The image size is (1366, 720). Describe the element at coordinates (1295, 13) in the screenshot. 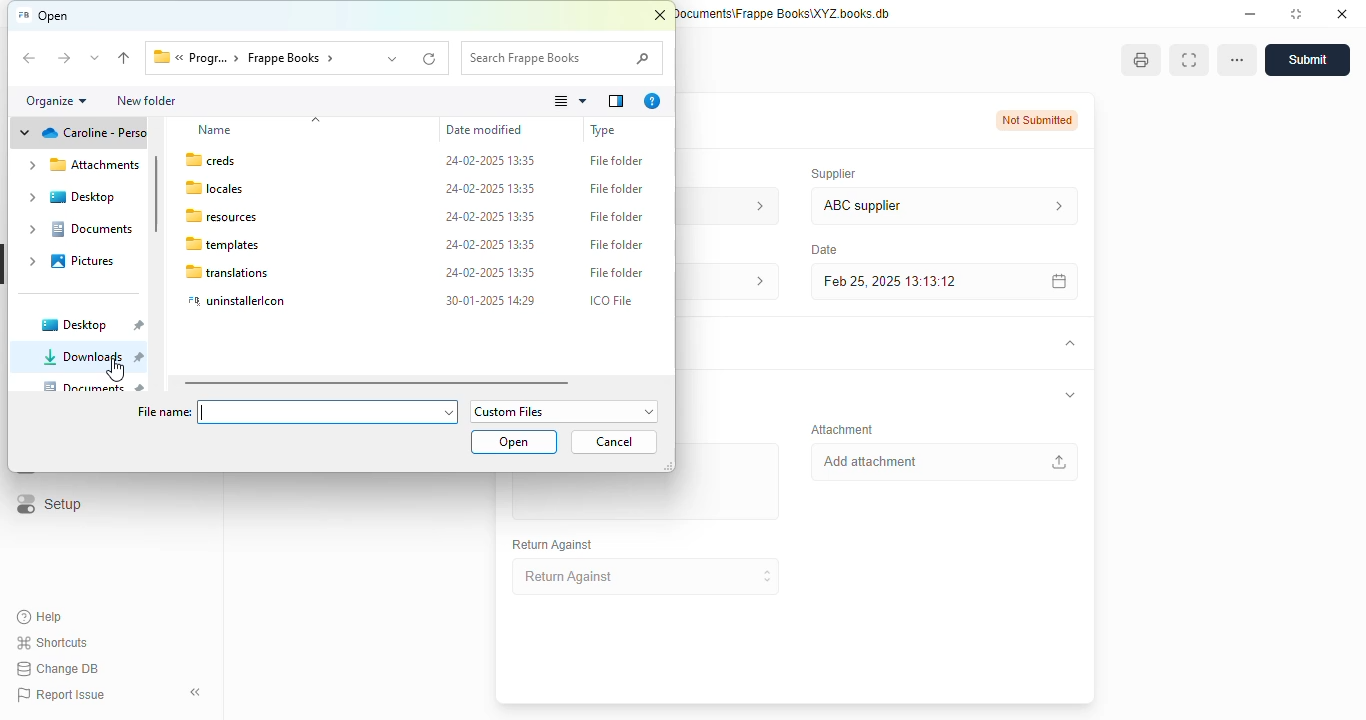

I see `toggle maximize` at that location.